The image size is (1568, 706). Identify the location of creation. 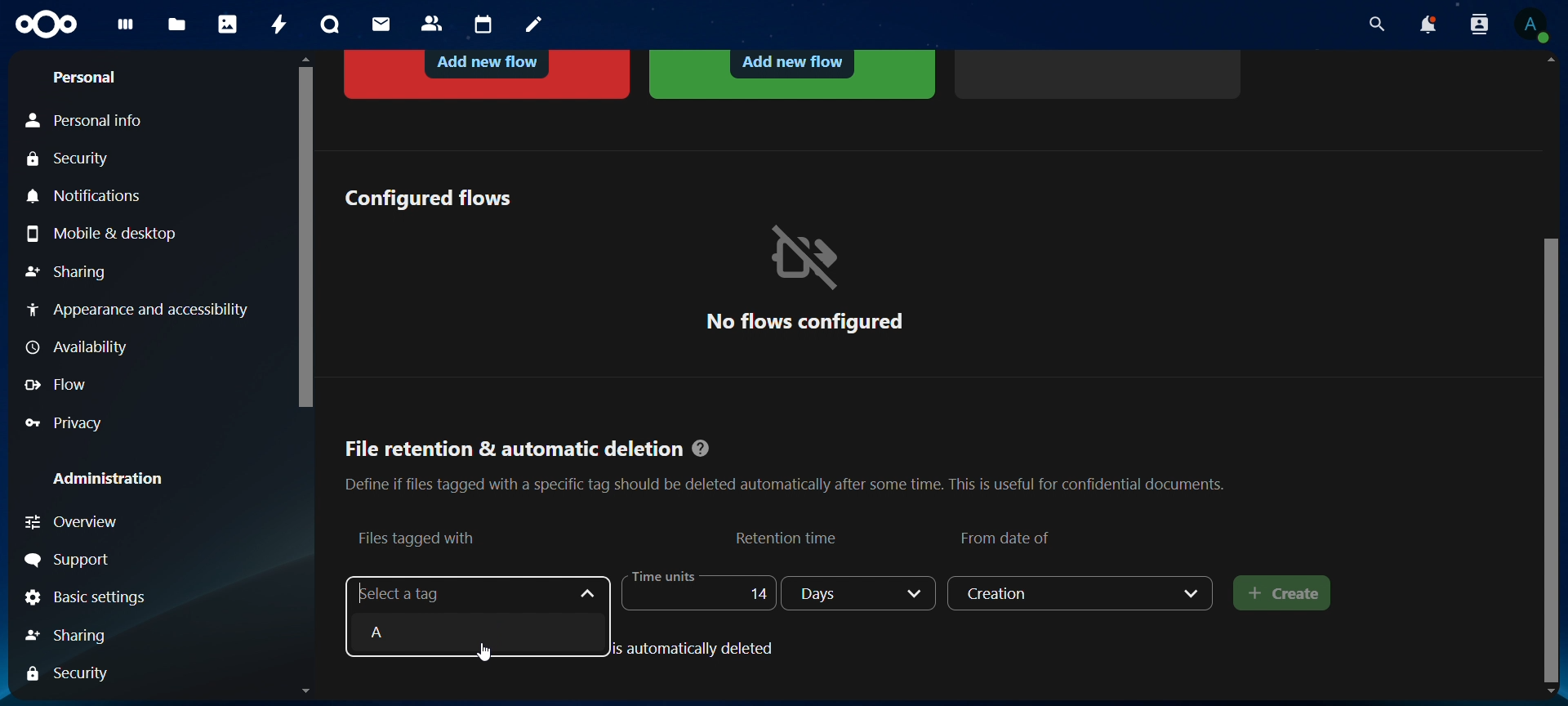
(1082, 592).